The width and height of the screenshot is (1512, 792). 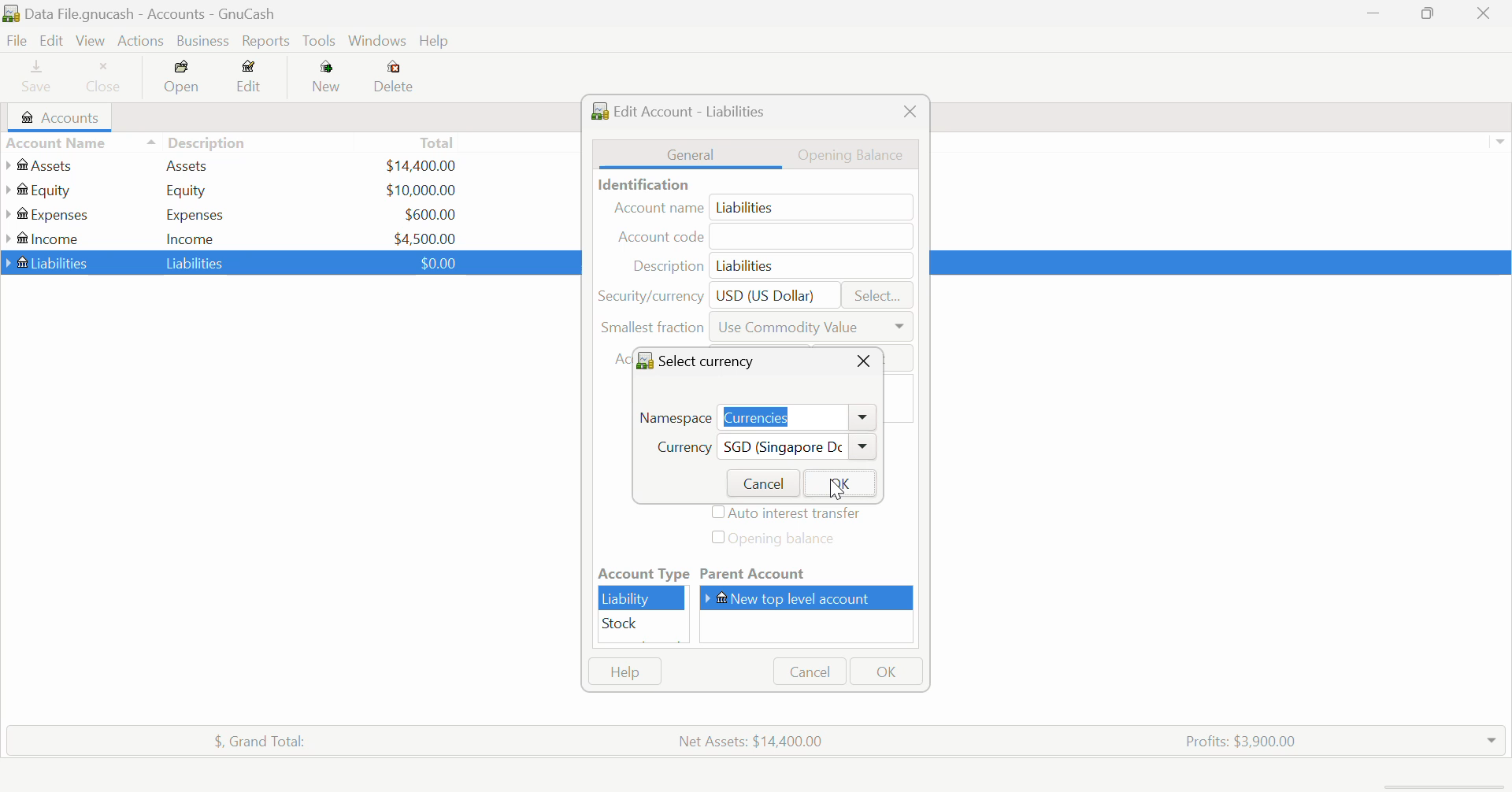 I want to click on Opening Balance, so click(x=860, y=154).